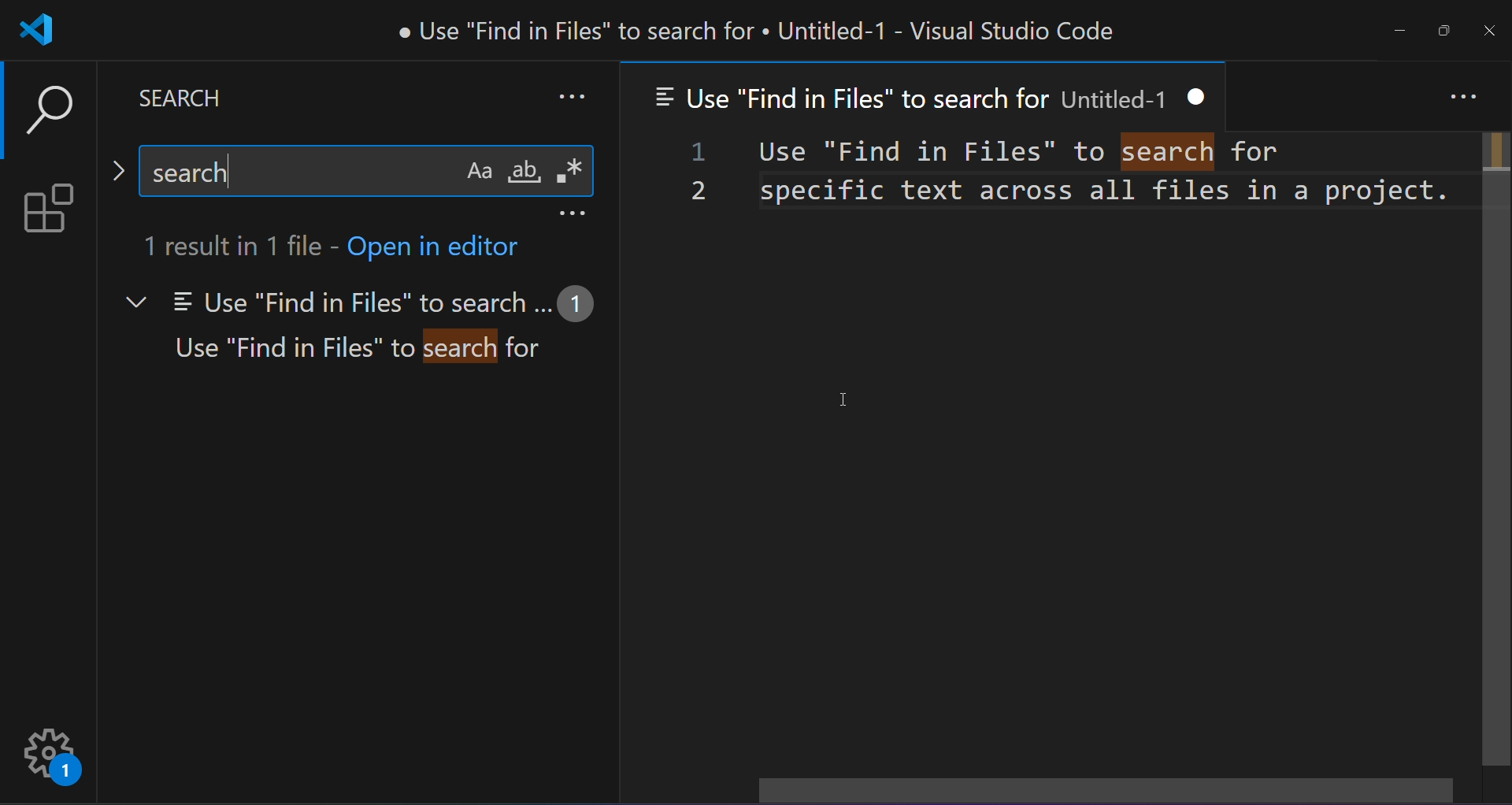 The width and height of the screenshot is (1512, 805). Describe the element at coordinates (1169, 154) in the screenshot. I see `highlighted result - search` at that location.